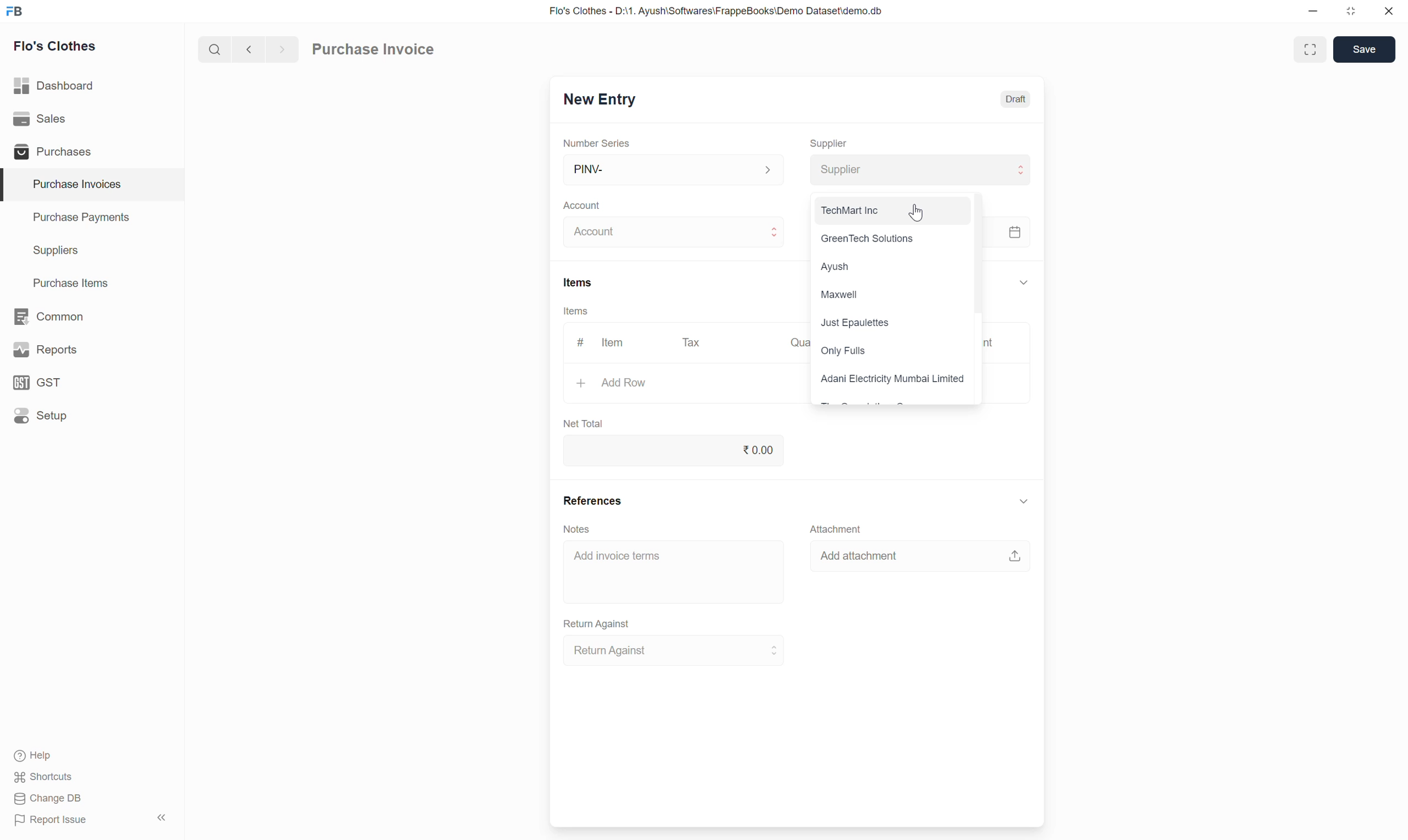 Image resolution: width=1408 pixels, height=840 pixels. I want to click on Purchase Payments, so click(92, 218).